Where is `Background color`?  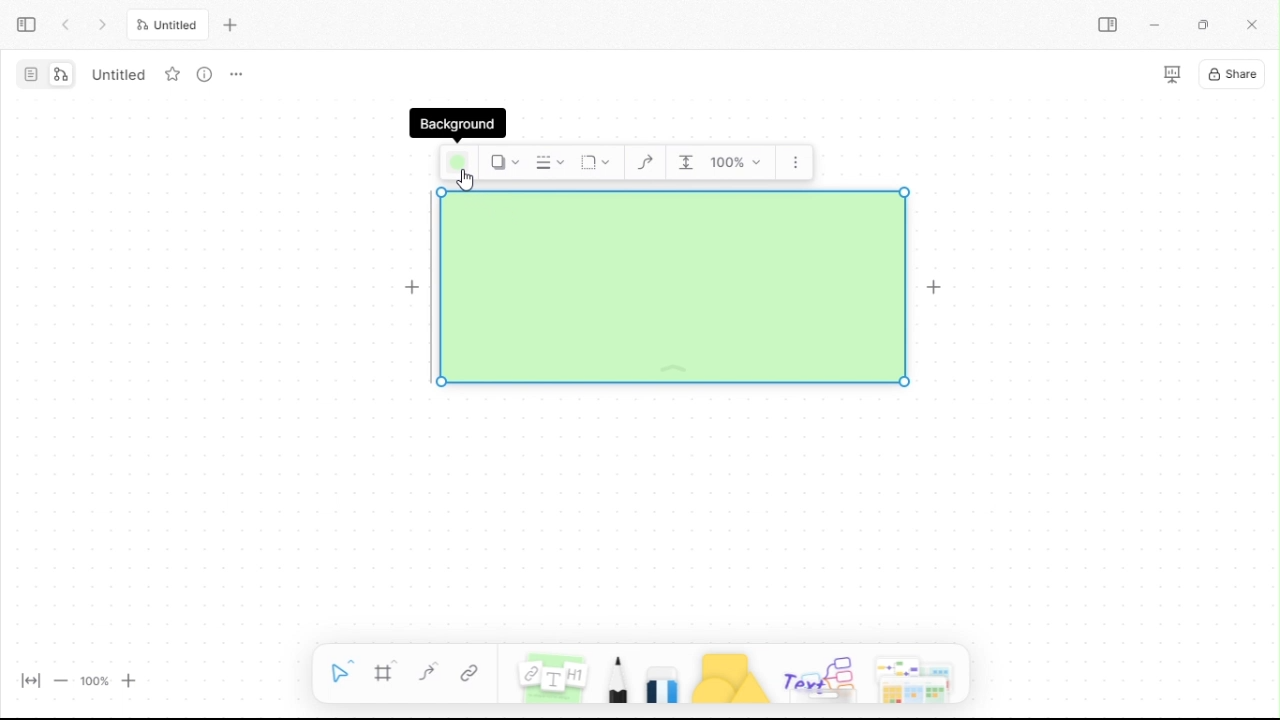 Background color is located at coordinates (458, 163).